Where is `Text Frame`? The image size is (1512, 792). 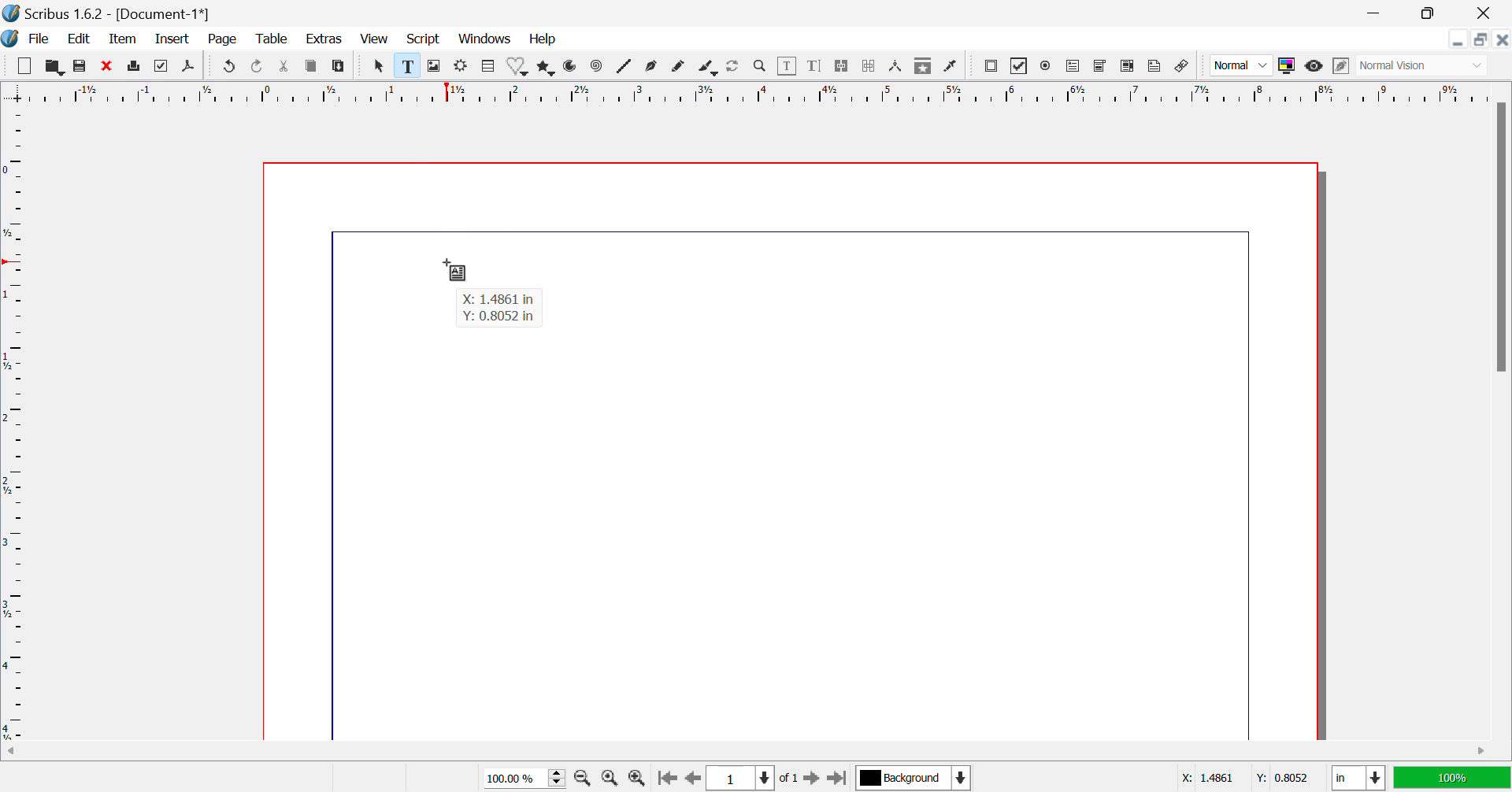
Text Frame is located at coordinates (408, 68).